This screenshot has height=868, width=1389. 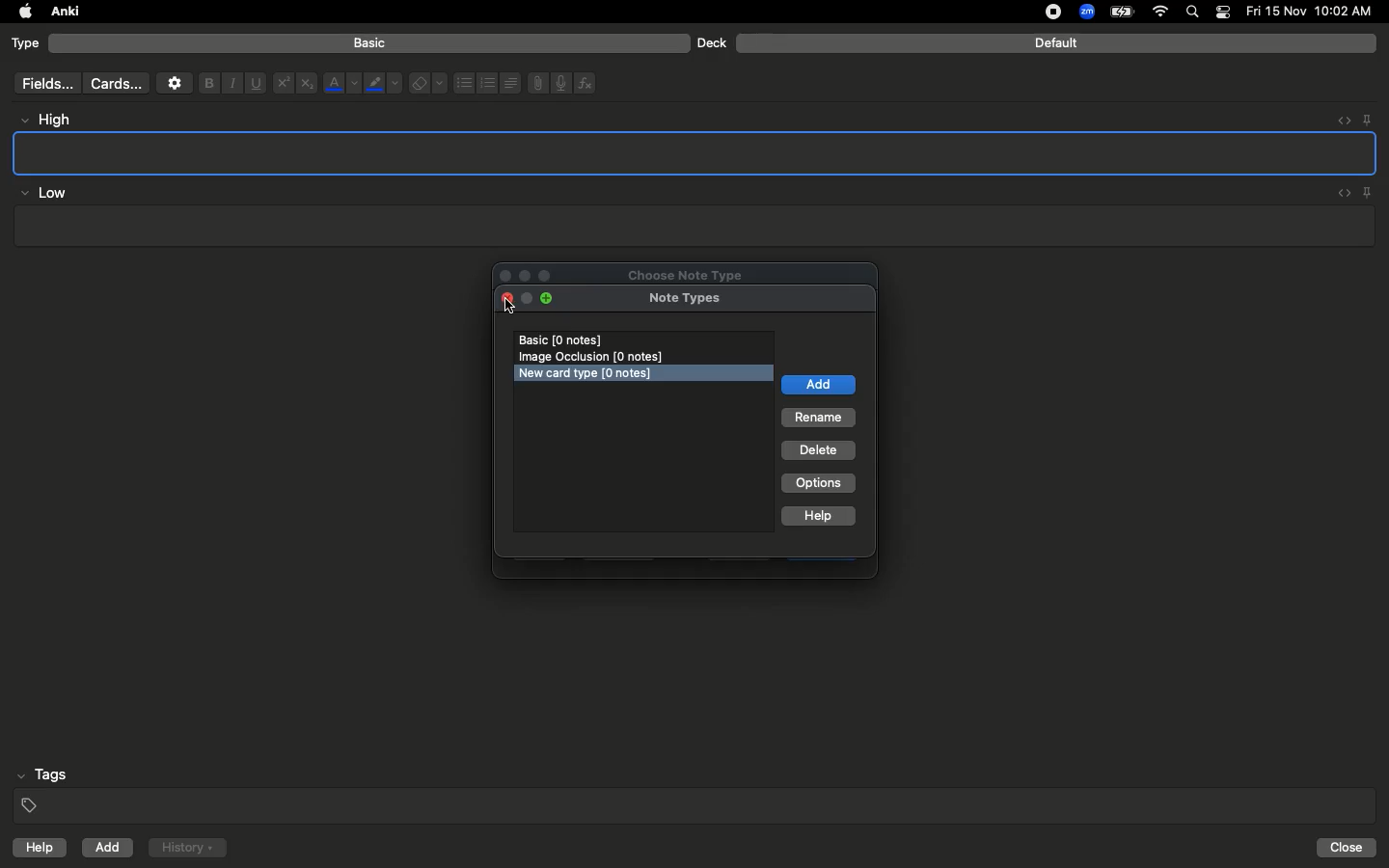 I want to click on close, so click(x=505, y=299).